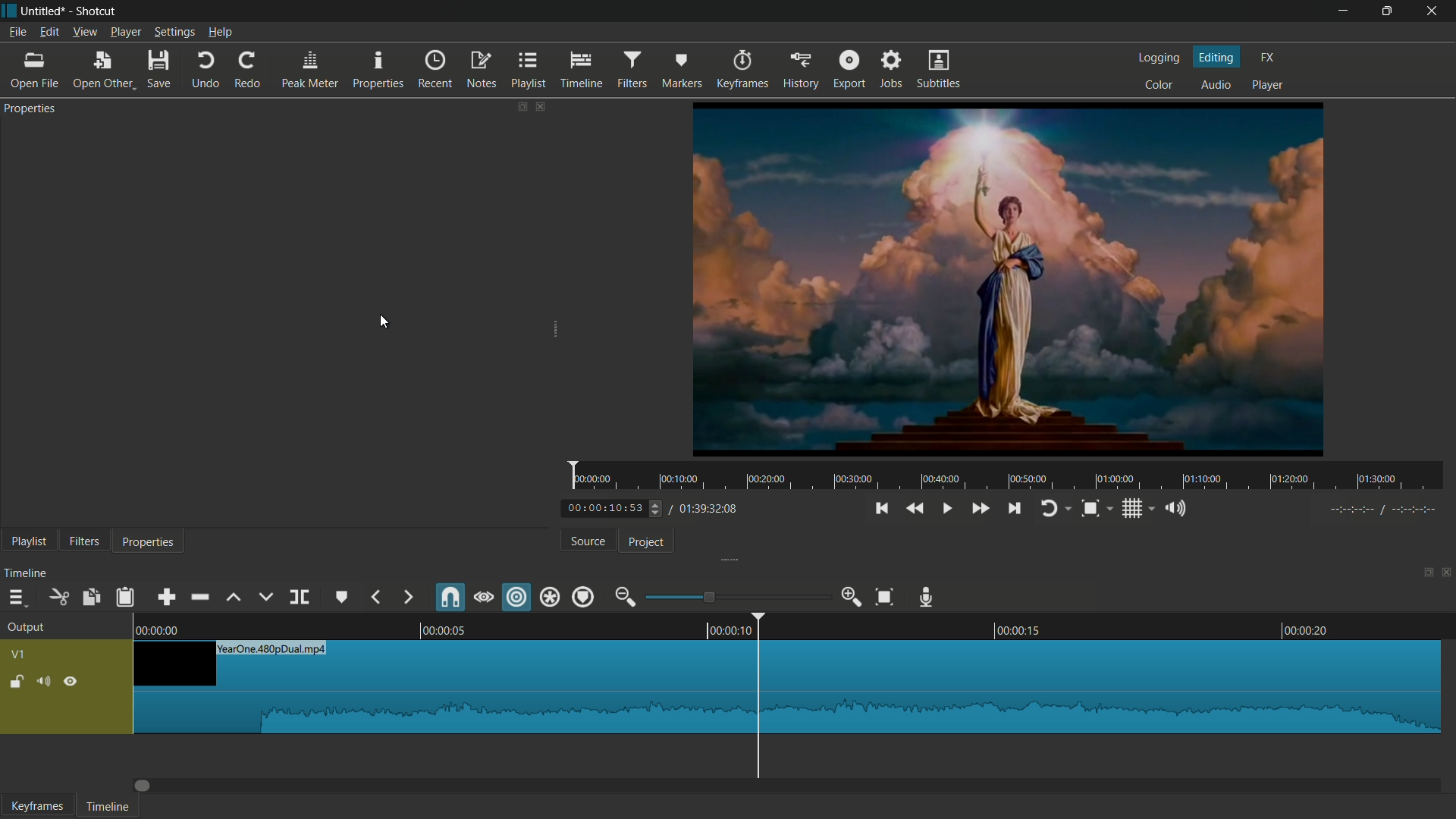  I want to click on settings menu, so click(173, 33).